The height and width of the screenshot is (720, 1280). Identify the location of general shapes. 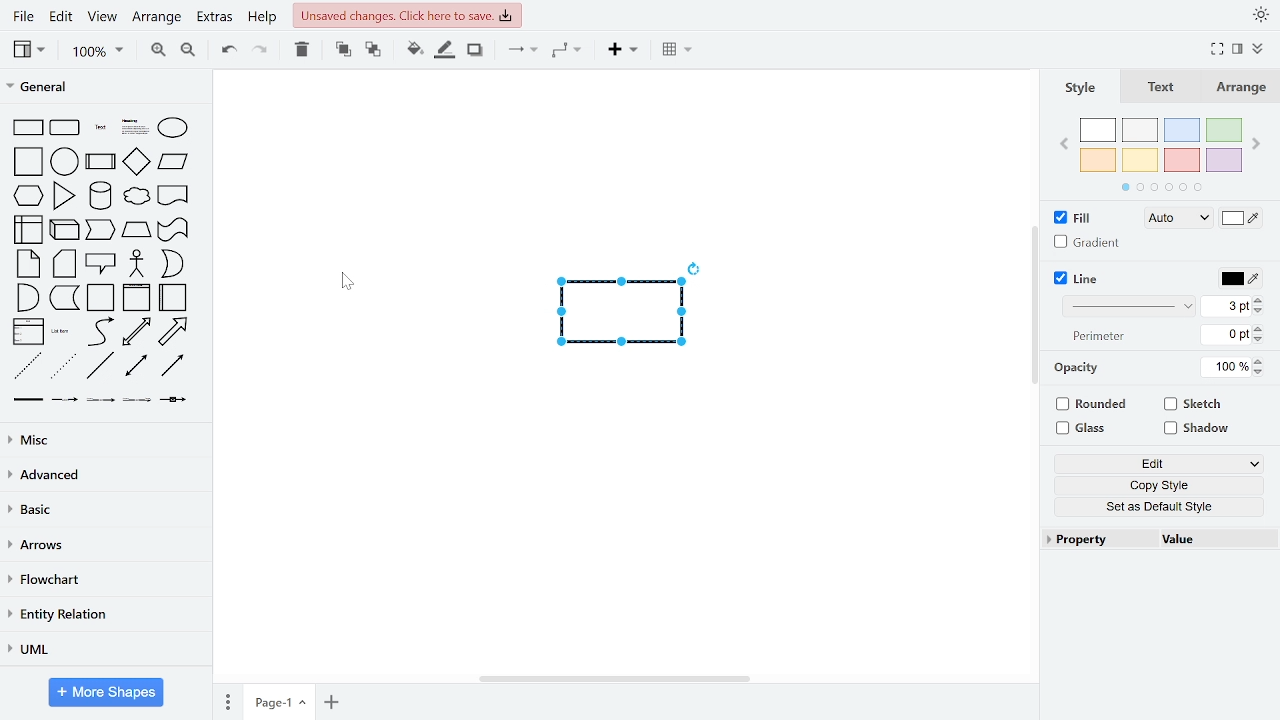
(101, 399).